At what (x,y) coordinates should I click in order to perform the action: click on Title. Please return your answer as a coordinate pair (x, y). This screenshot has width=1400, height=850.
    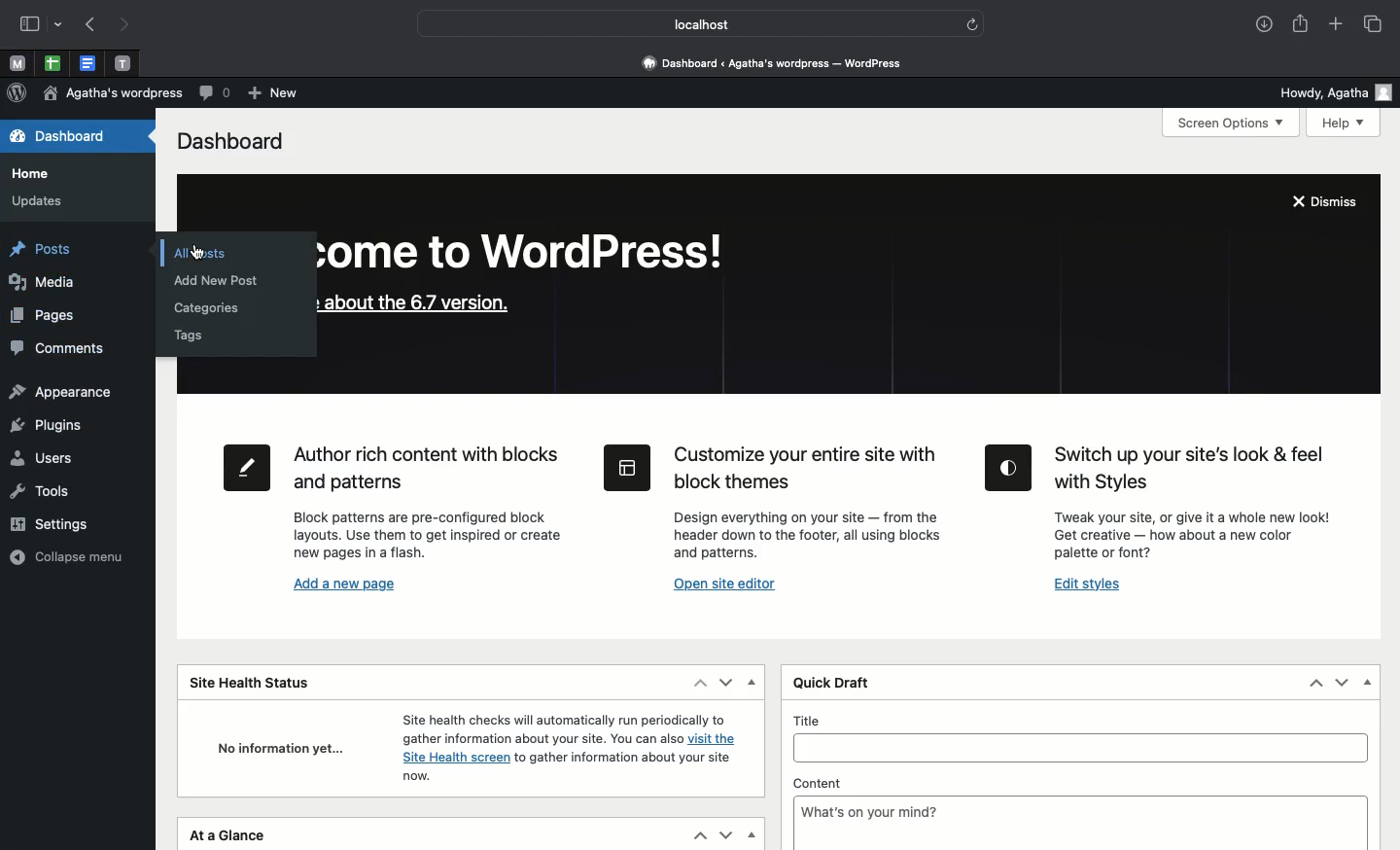
    Looking at the image, I should click on (1080, 747).